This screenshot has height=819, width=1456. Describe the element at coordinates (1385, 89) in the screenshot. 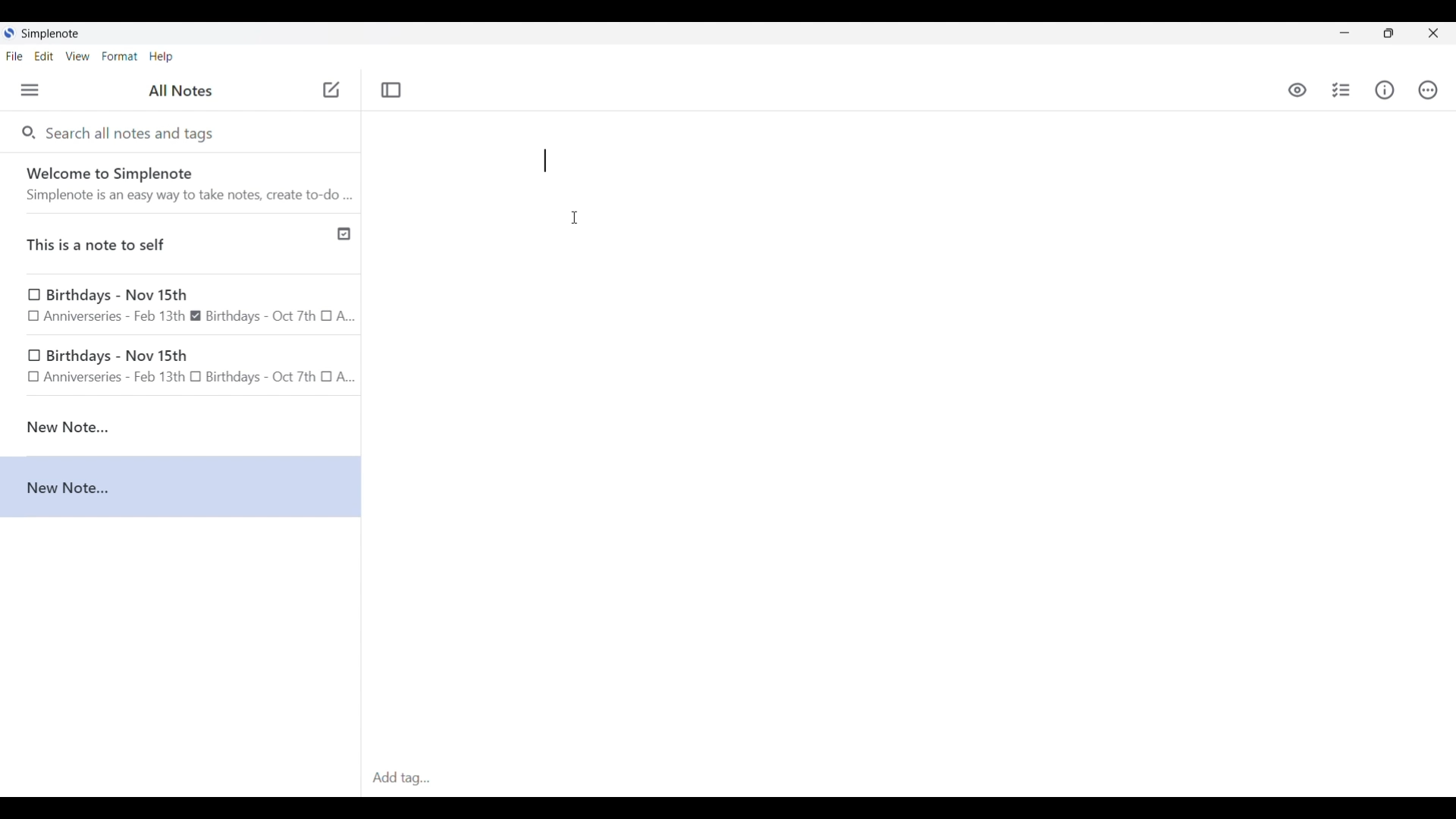

I see `Info` at that location.